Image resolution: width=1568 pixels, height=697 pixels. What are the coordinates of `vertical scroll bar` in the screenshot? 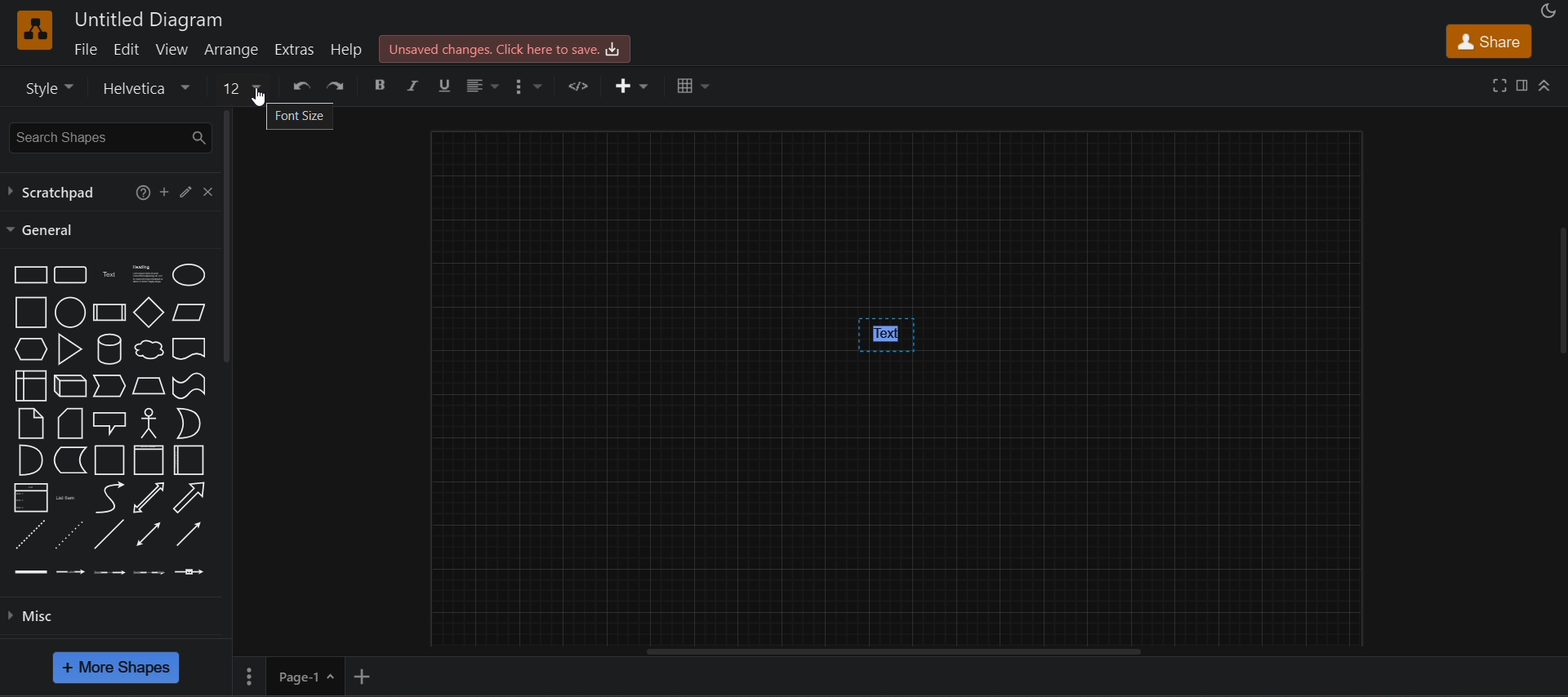 It's located at (227, 237).